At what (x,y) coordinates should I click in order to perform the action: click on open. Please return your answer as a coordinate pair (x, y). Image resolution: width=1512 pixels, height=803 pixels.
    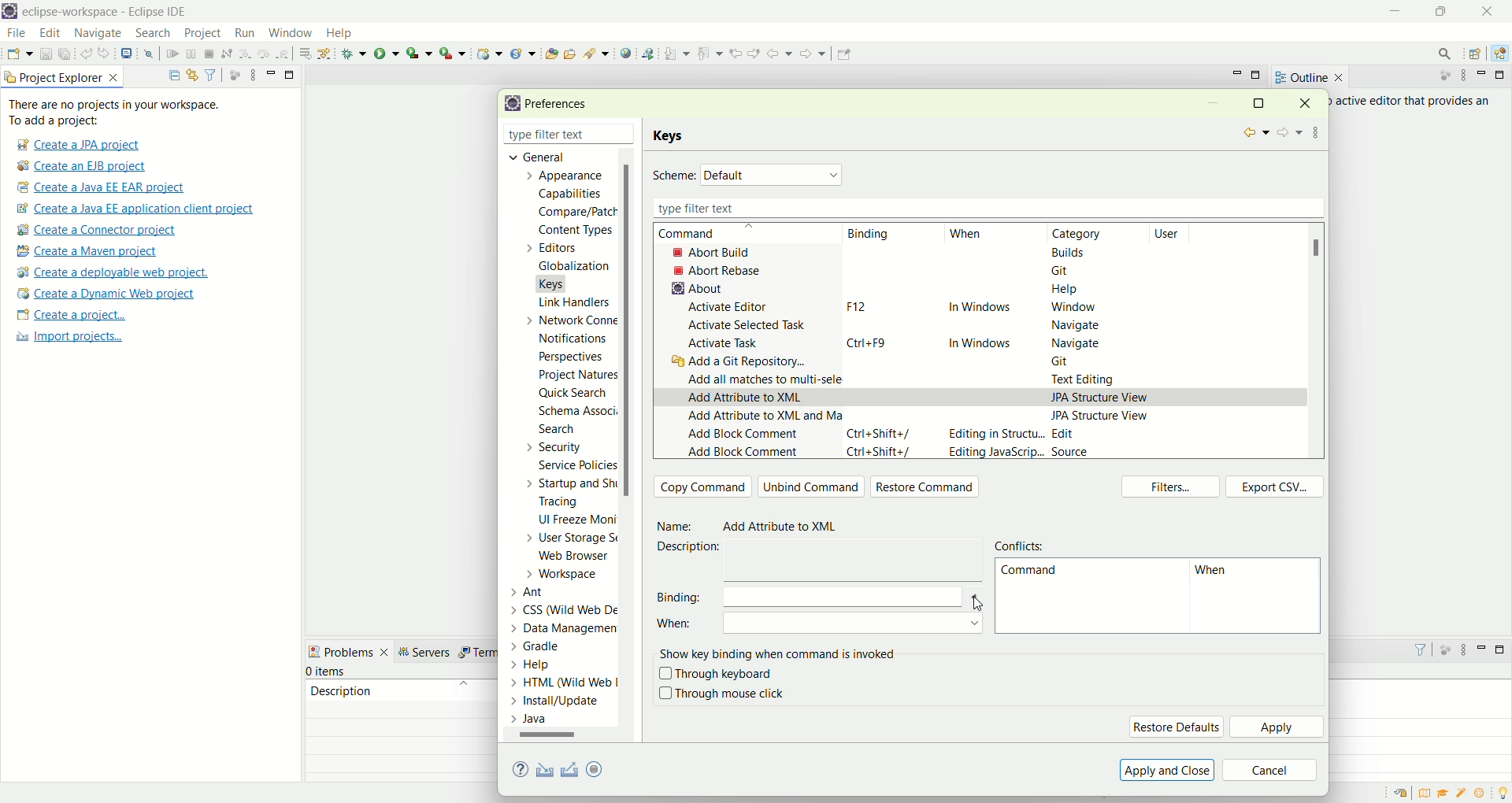
    Looking at the image, I should click on (20, 56).